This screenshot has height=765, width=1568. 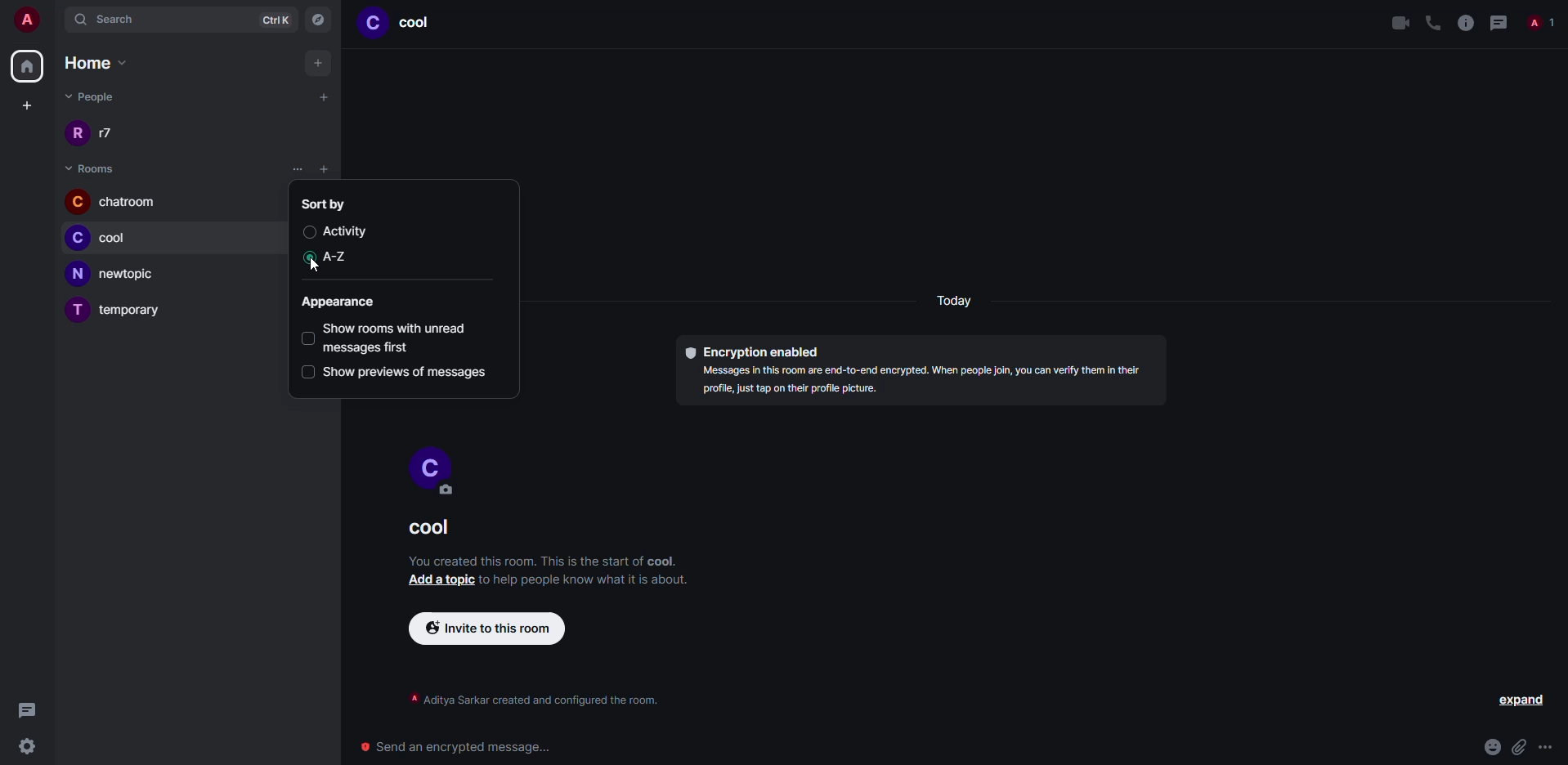 I want to click on info, so click(x=587, y=579).